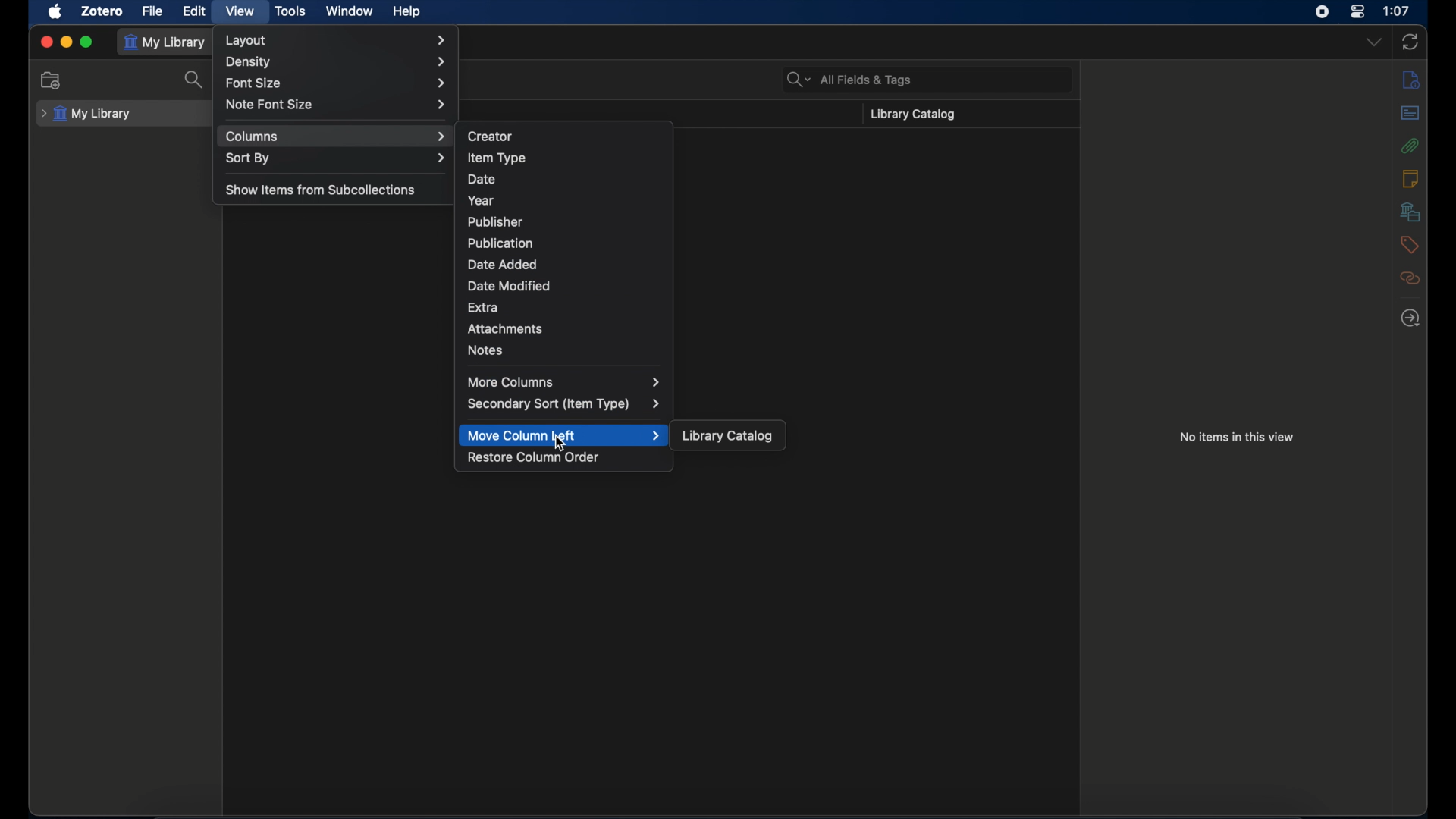 This screenshot has width=1456, height=819. What do you see at coordinates (483, 307) in the screenshot?
I see `extra` at bounding box center [483, 307].